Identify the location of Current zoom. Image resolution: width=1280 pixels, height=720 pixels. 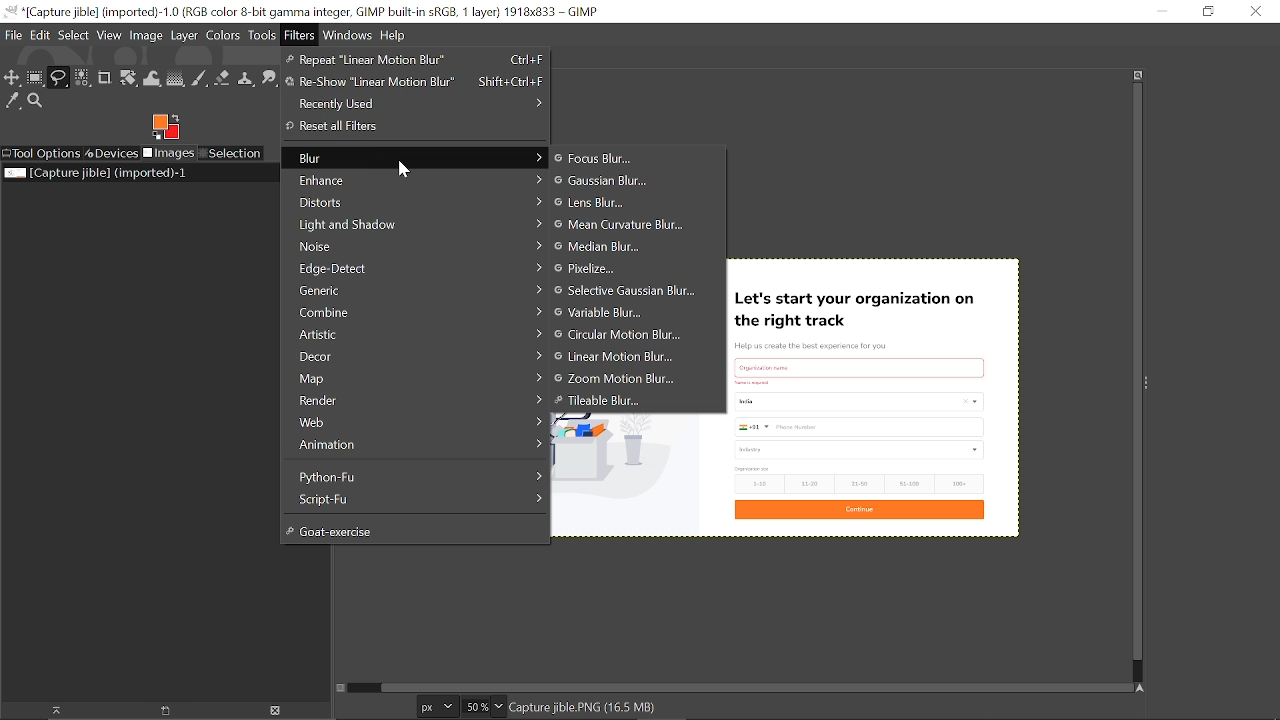
(474, 706).